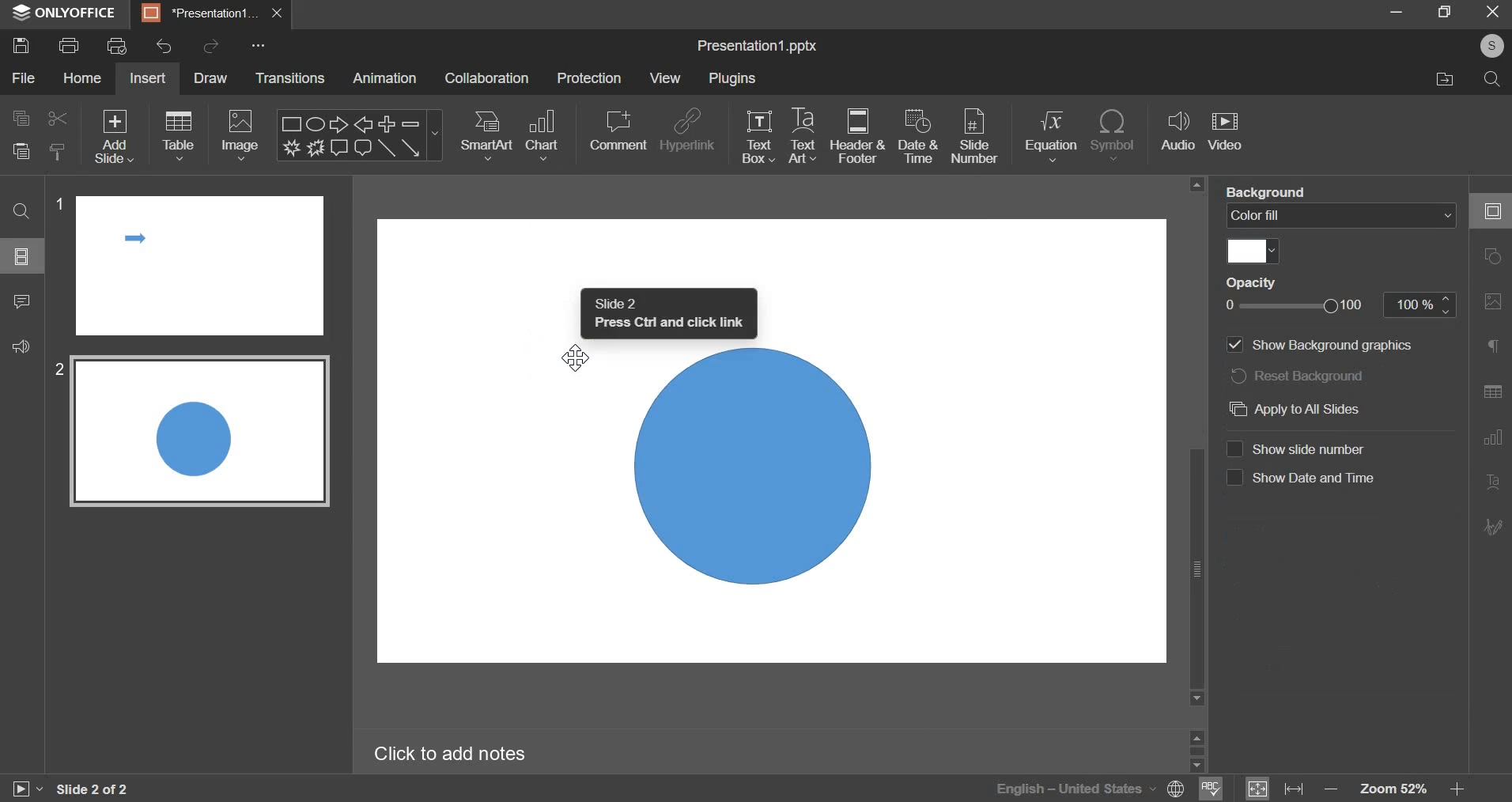  Describe the element at coordinates (920, 138) in the screenshot. I see `date & time` at that location.